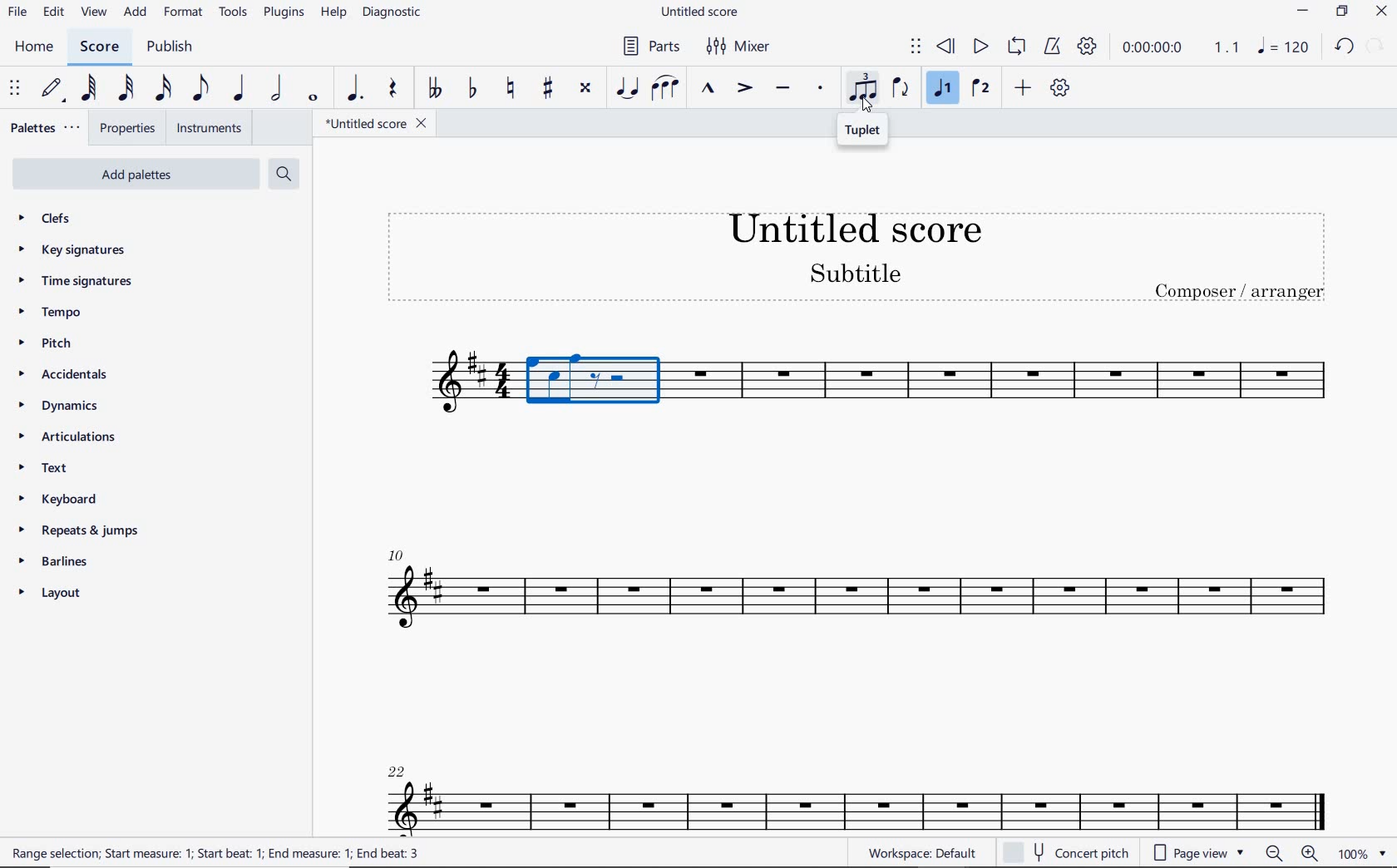 This screenshot has width=1397, height=868. Describe the element at coordinates (1024, 89) in the screenshot. I see `ADD` at that location.